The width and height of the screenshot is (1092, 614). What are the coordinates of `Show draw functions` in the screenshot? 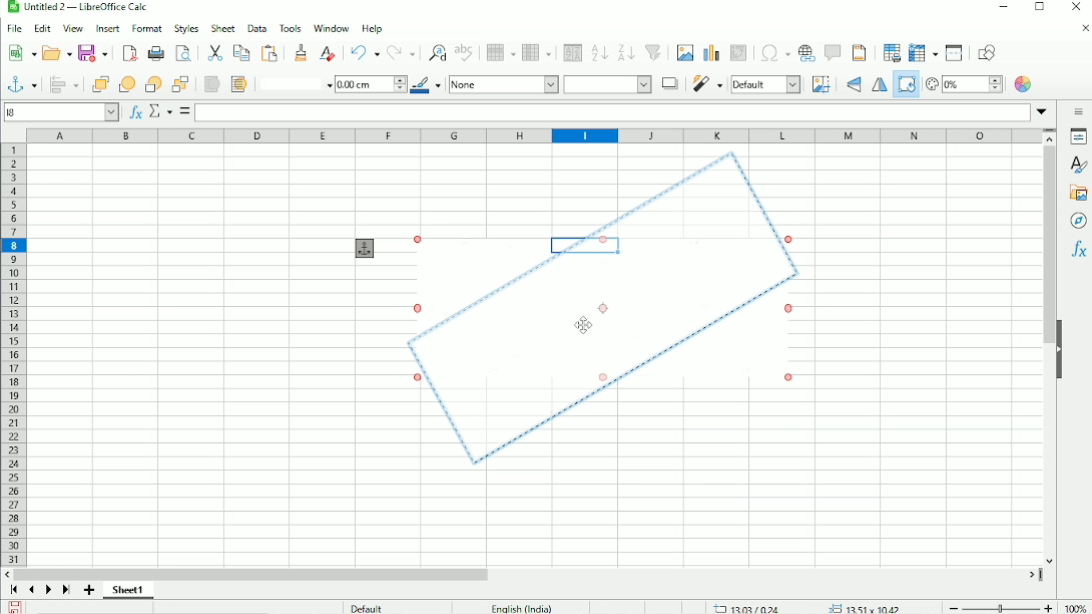 It's located at (987, 52).